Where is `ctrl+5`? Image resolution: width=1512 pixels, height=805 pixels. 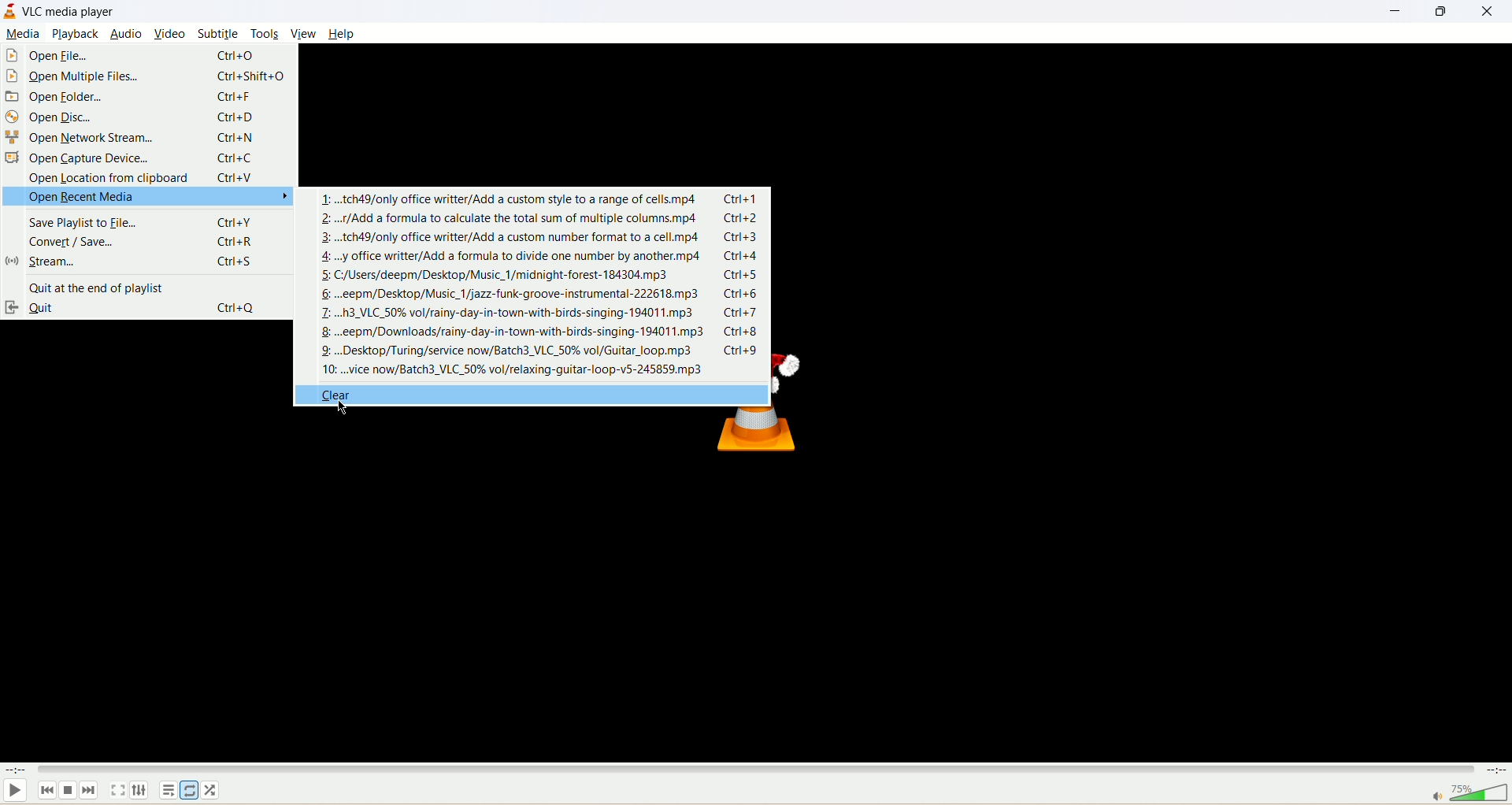 ctrl+5 is located at coordinates (745, 275).